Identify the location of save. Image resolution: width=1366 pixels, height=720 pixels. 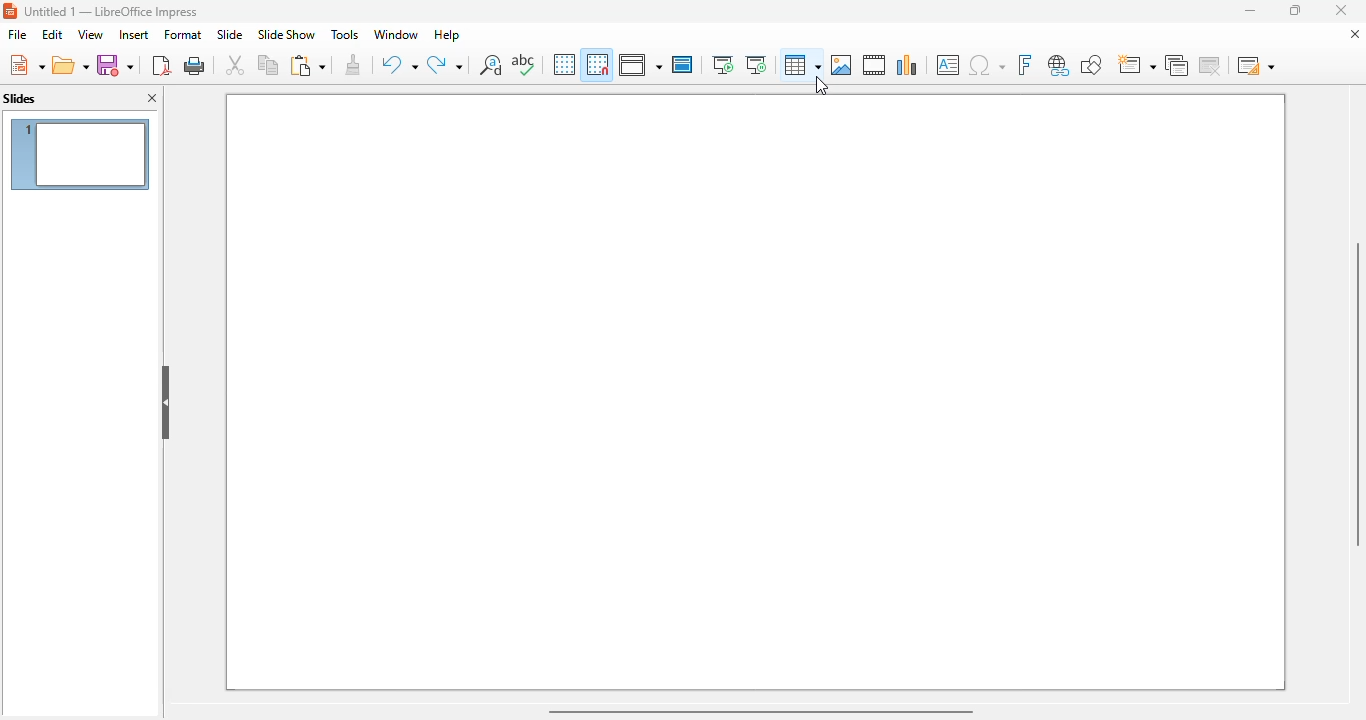
(115, 64).